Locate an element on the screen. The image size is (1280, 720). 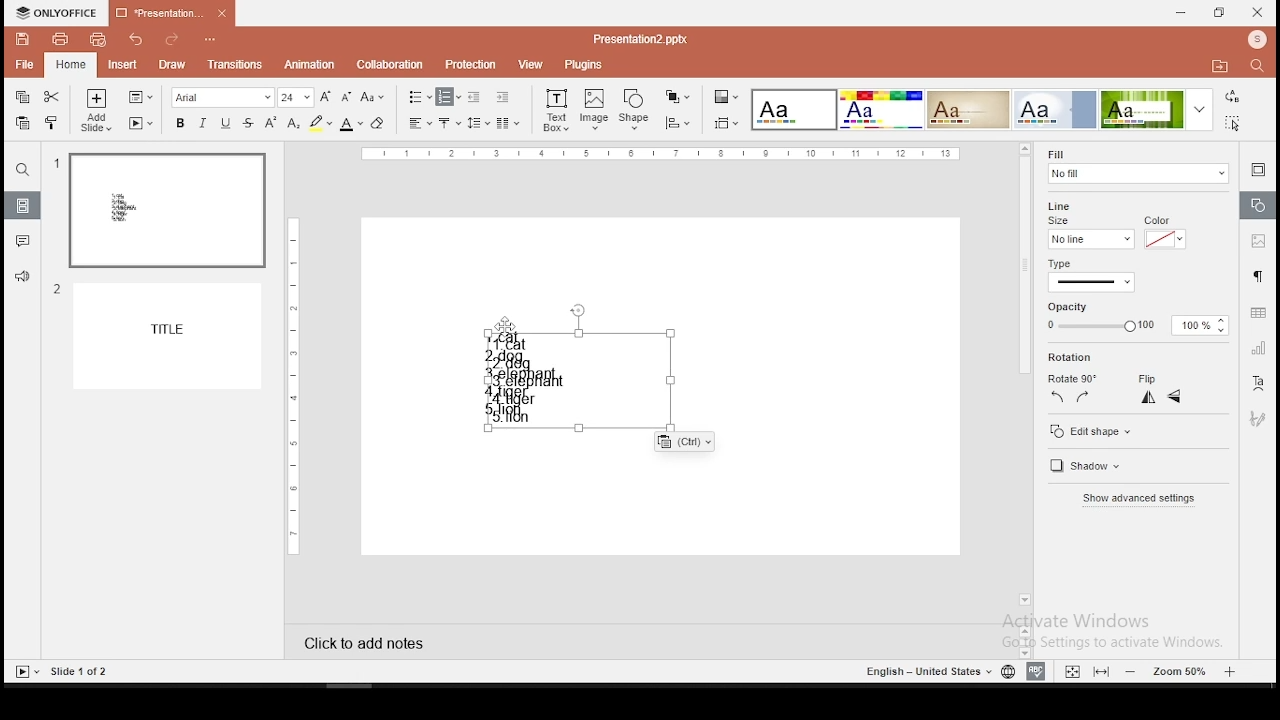
select all is located at coordinates (1236, 125).